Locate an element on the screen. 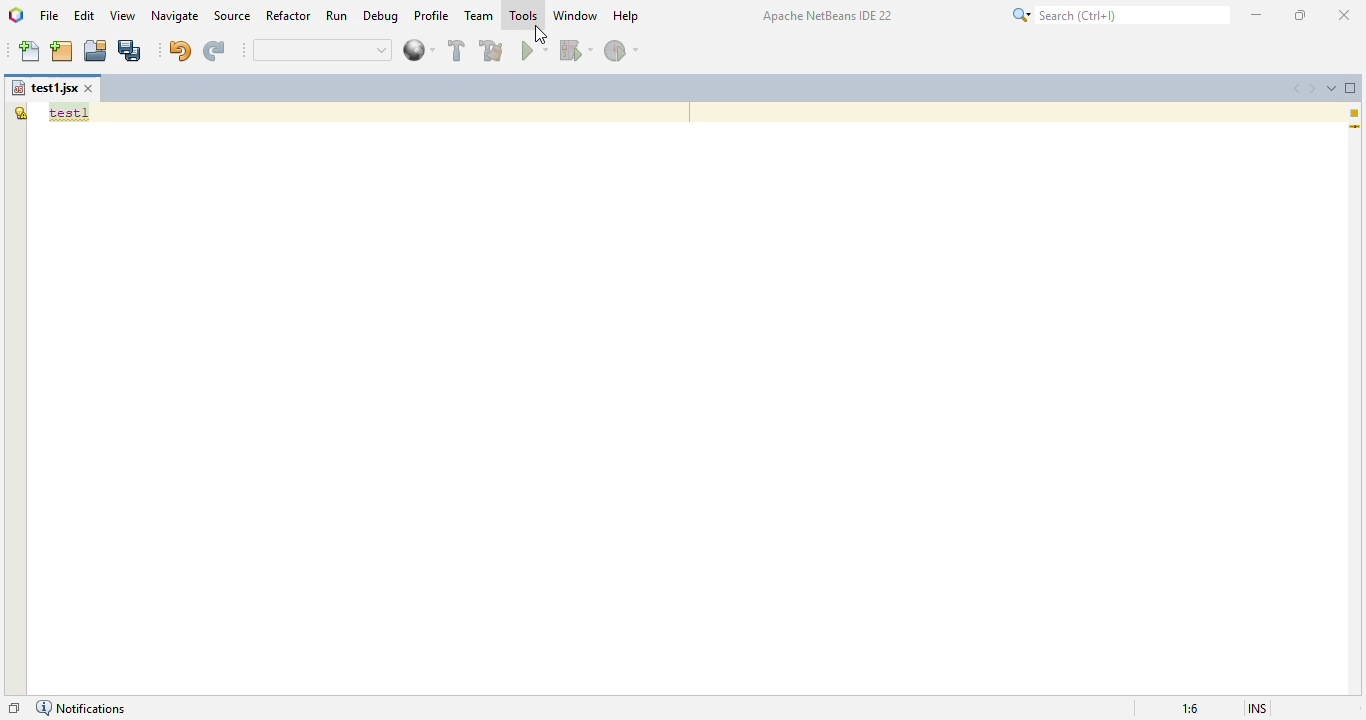  maximize window is located at coordinates (1351, 88).